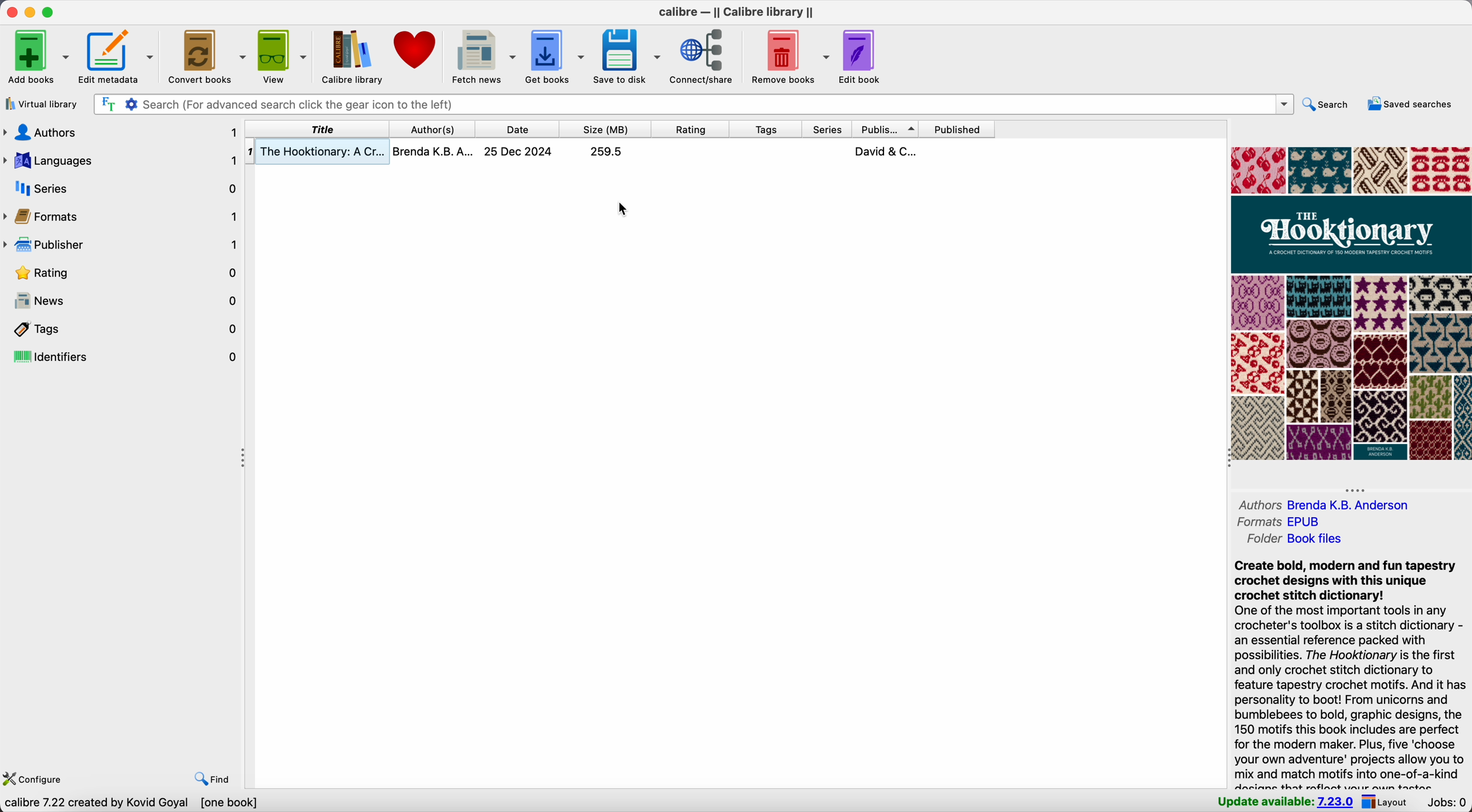  Describe the element at coordinates (122, 188) in the screenshot. I see `series` at that location.